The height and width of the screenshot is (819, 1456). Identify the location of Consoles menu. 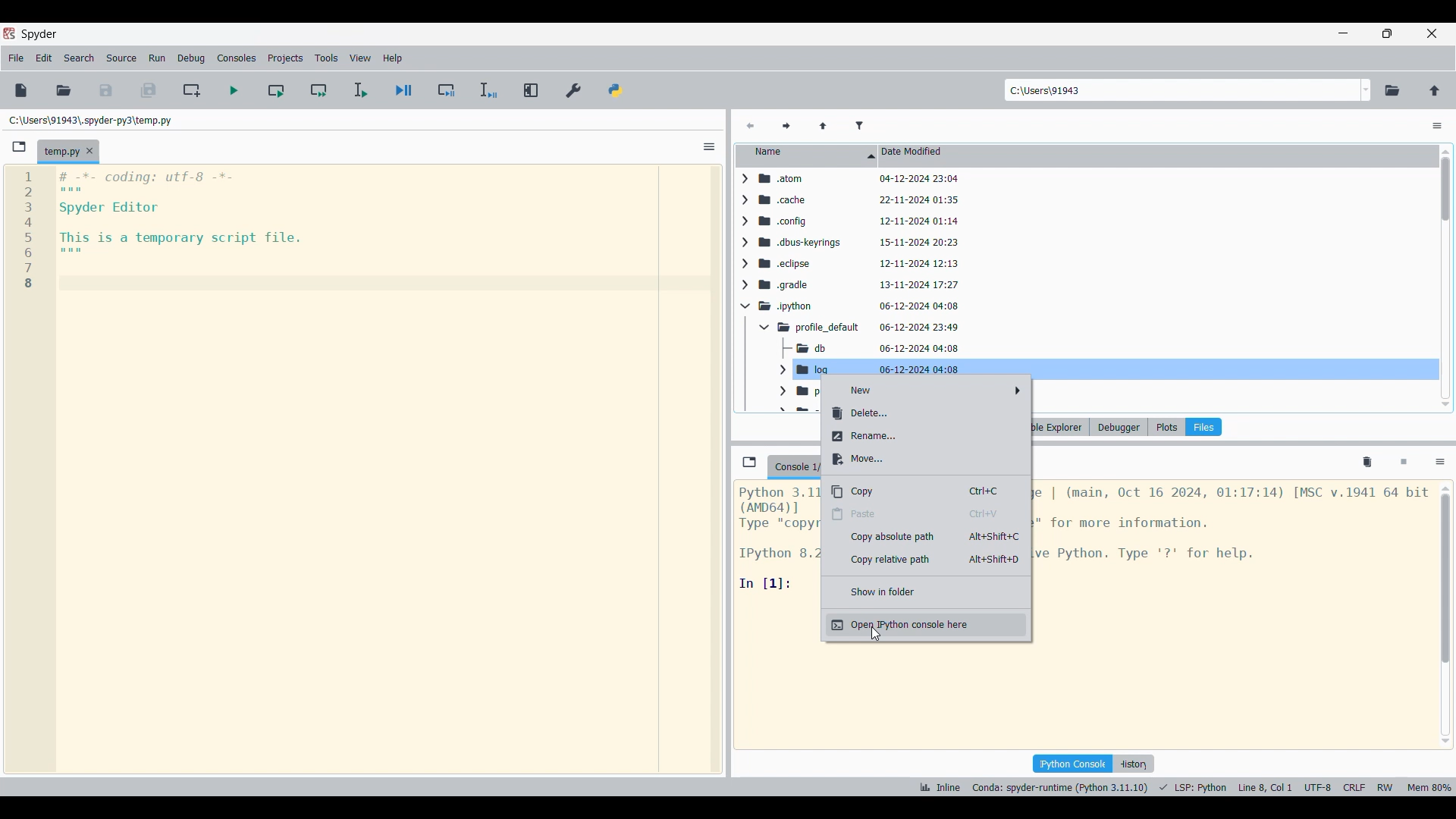
(236, 58).